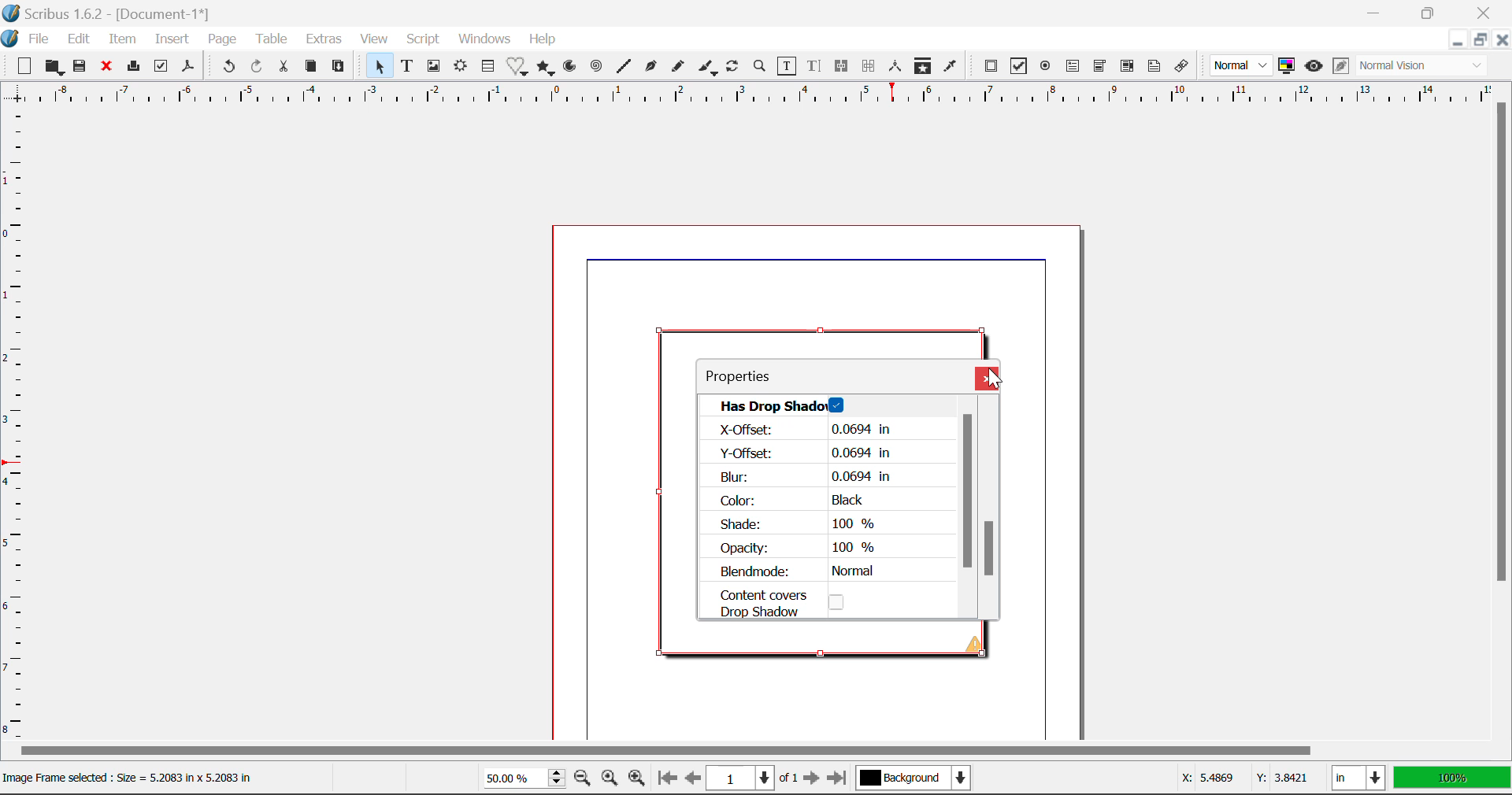 Image resolution: width=1512 pixels, height=795 pixels. I want to click on 100%, so click(1454, 778).